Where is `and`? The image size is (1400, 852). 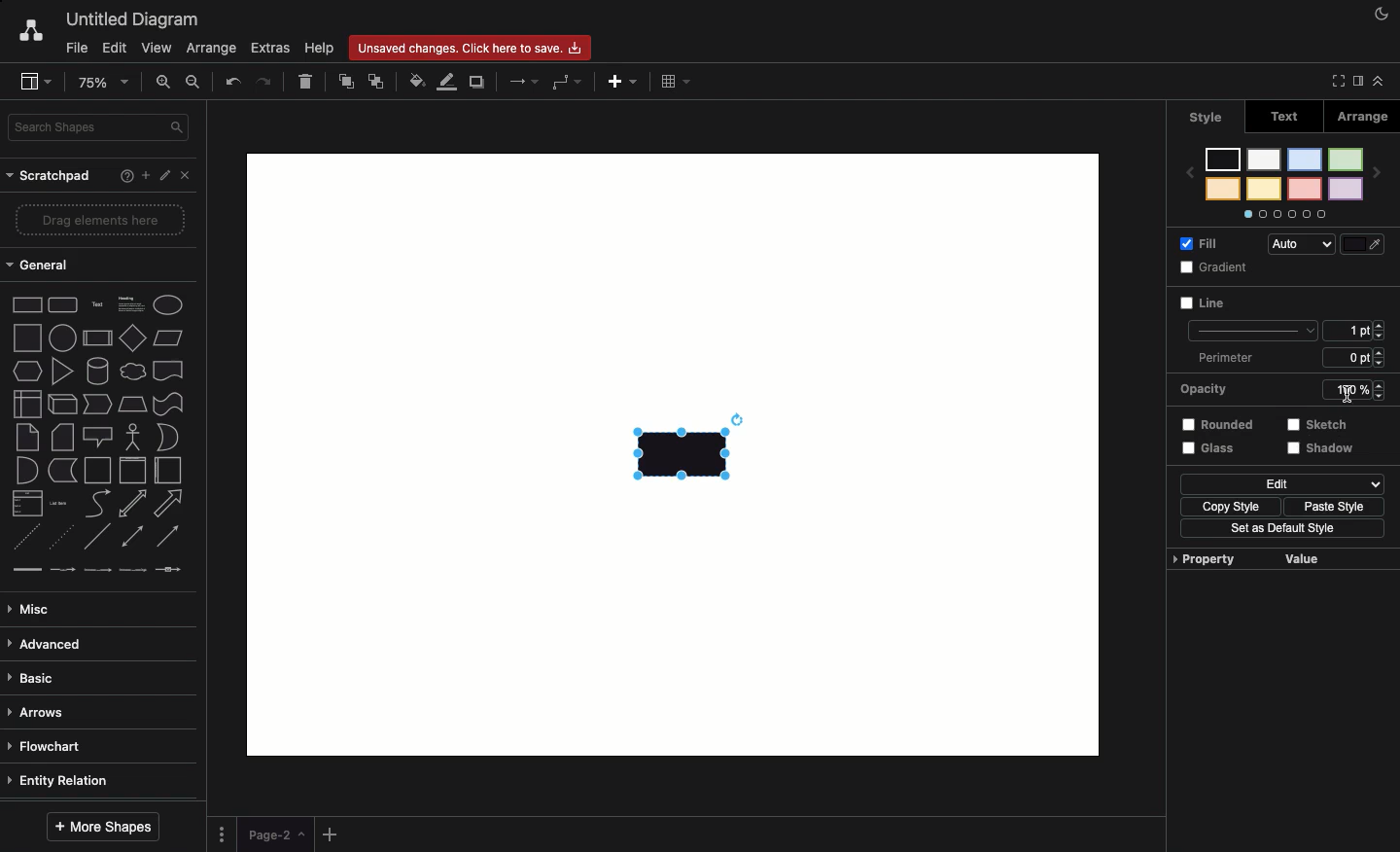 and is located at coordinates (26, 470).